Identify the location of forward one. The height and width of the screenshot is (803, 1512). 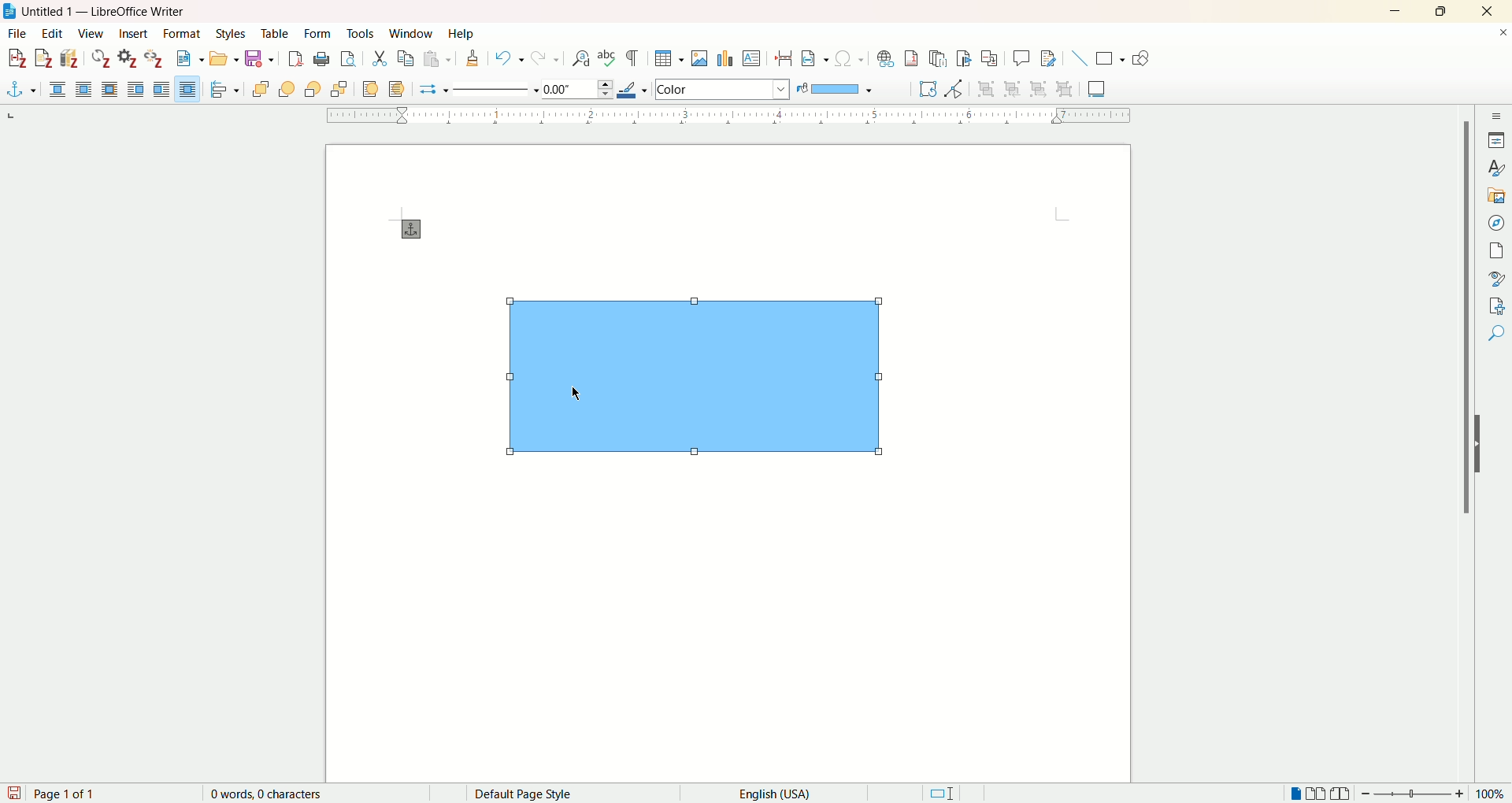
(285, 88).